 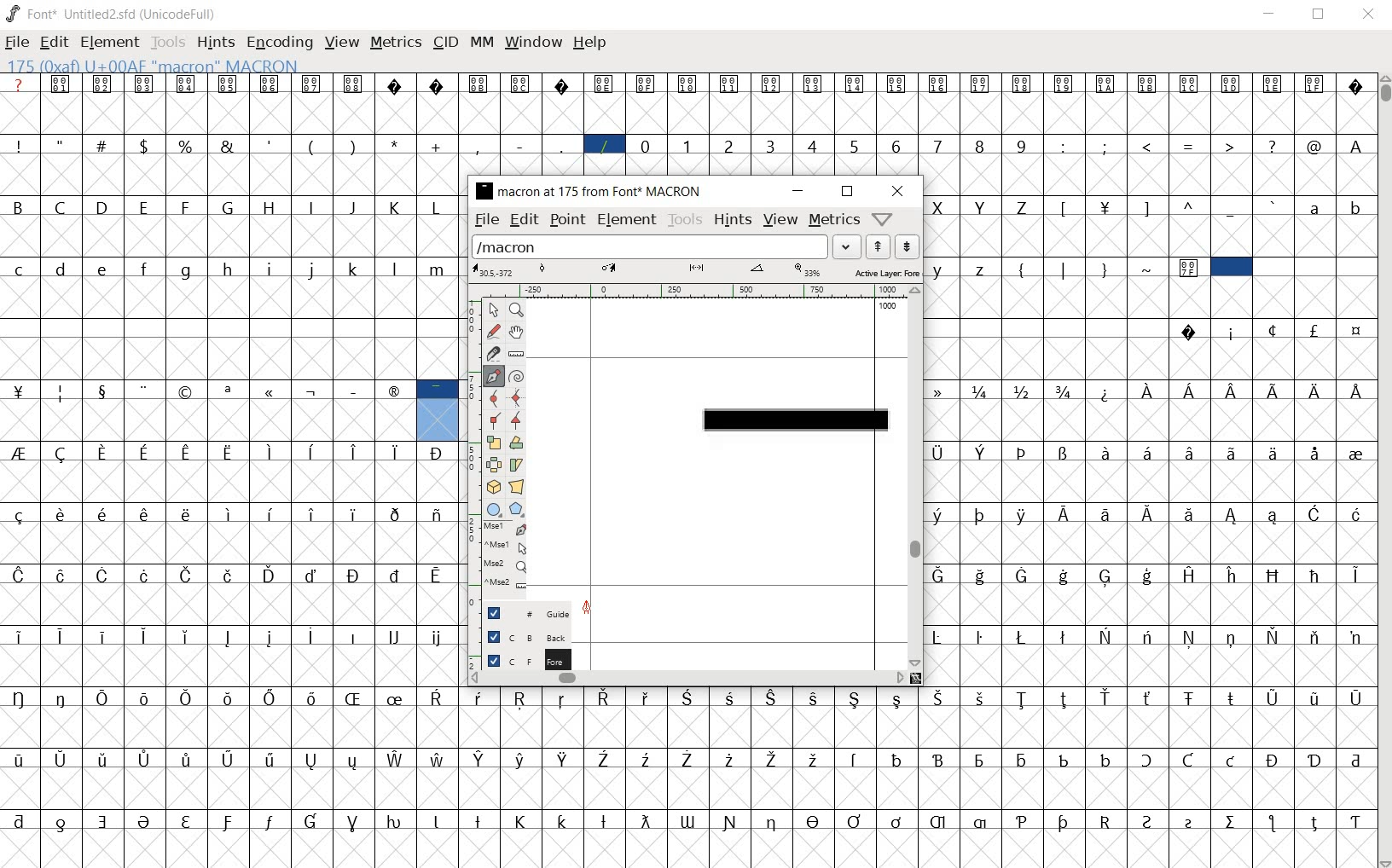 What do you see at coordinates (606, 698) in the screenshot?
I see `Symbol` at bounding box center [606, 698].